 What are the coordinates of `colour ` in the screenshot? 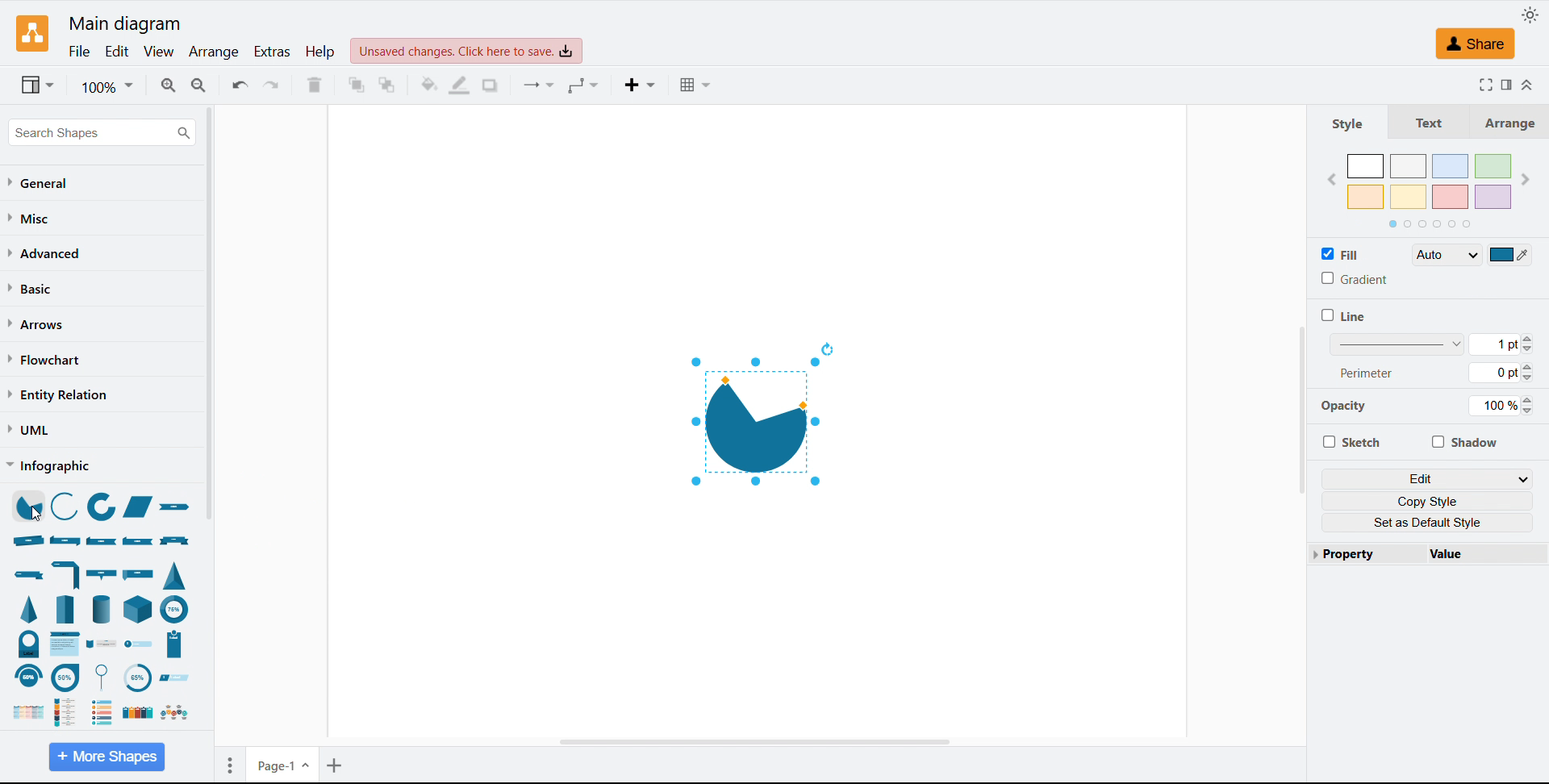 It's located at (1510, 254).